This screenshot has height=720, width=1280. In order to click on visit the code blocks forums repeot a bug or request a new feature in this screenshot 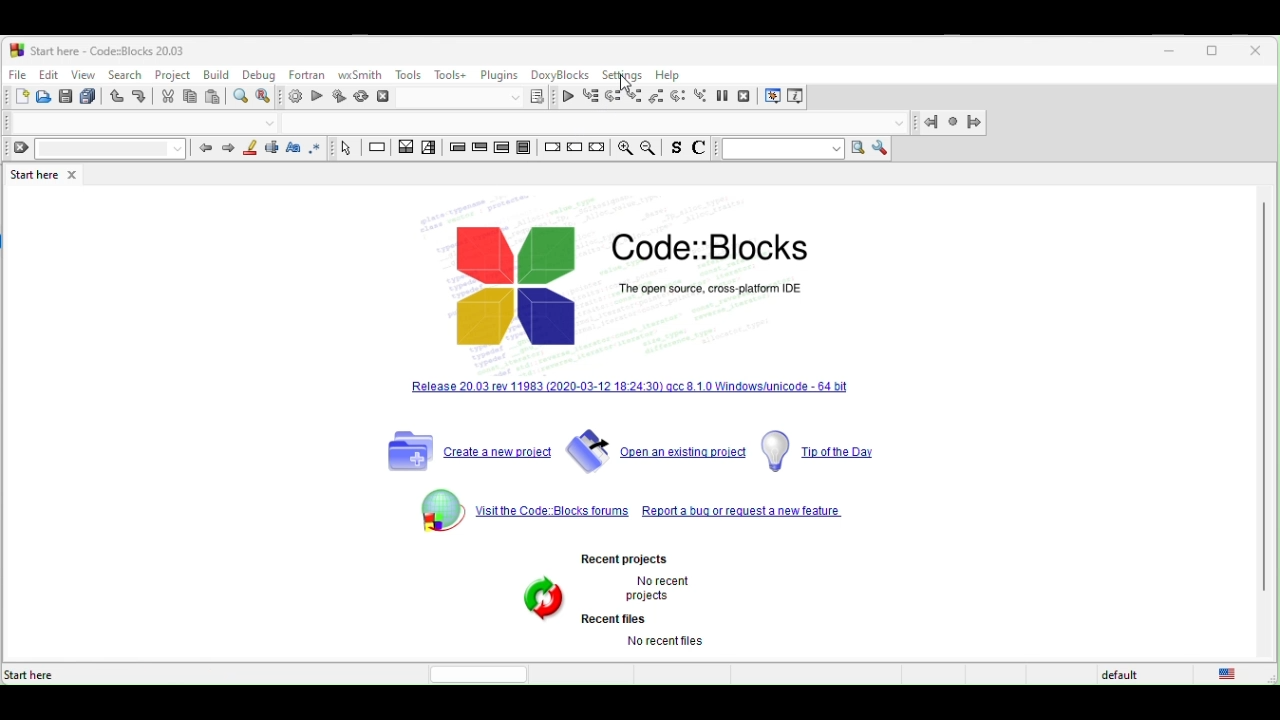, I will do `click(634, 510)`.